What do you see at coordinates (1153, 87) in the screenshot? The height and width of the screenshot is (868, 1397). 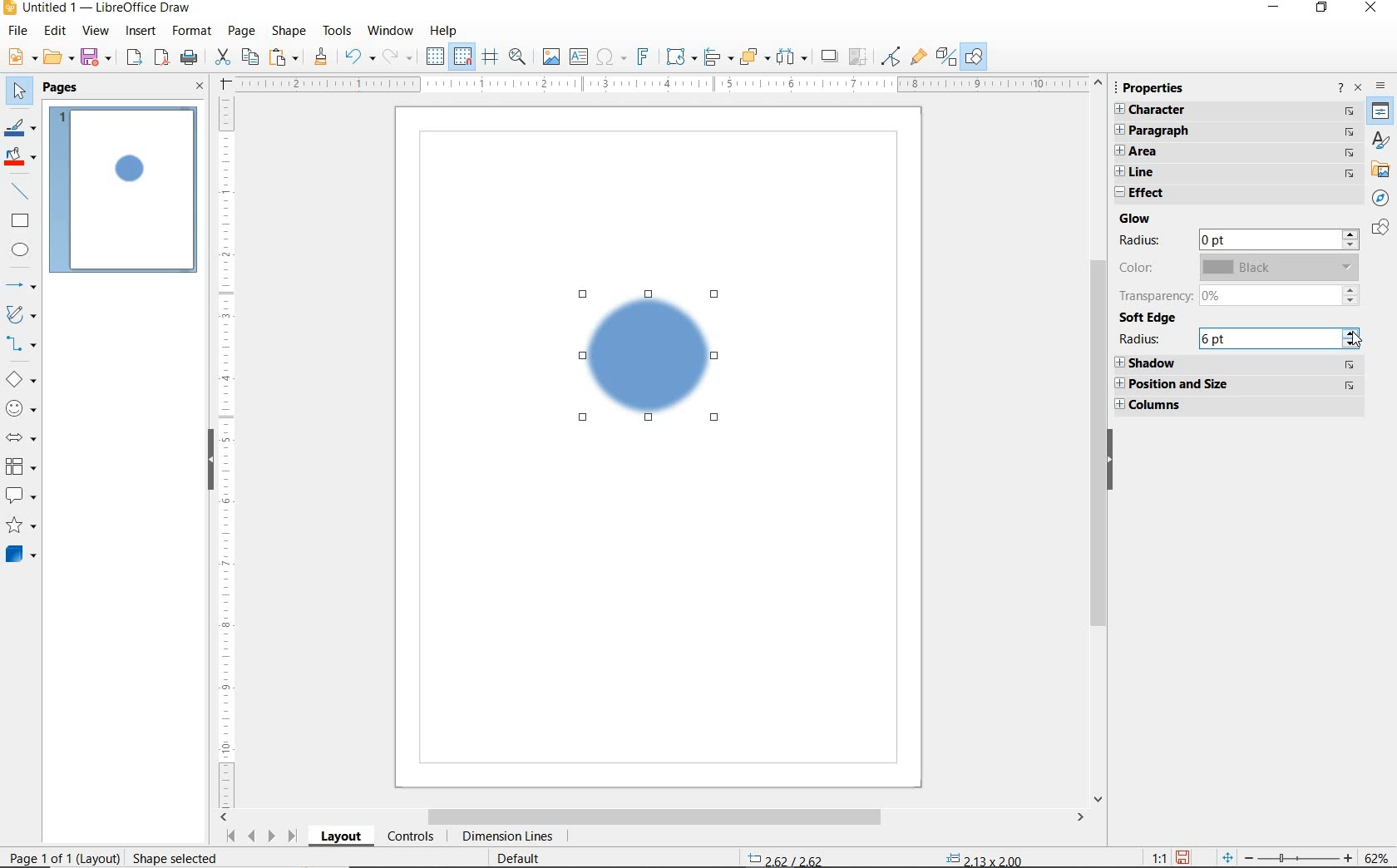 I see `PROPERTIES` at bounding box center [1153, 87].